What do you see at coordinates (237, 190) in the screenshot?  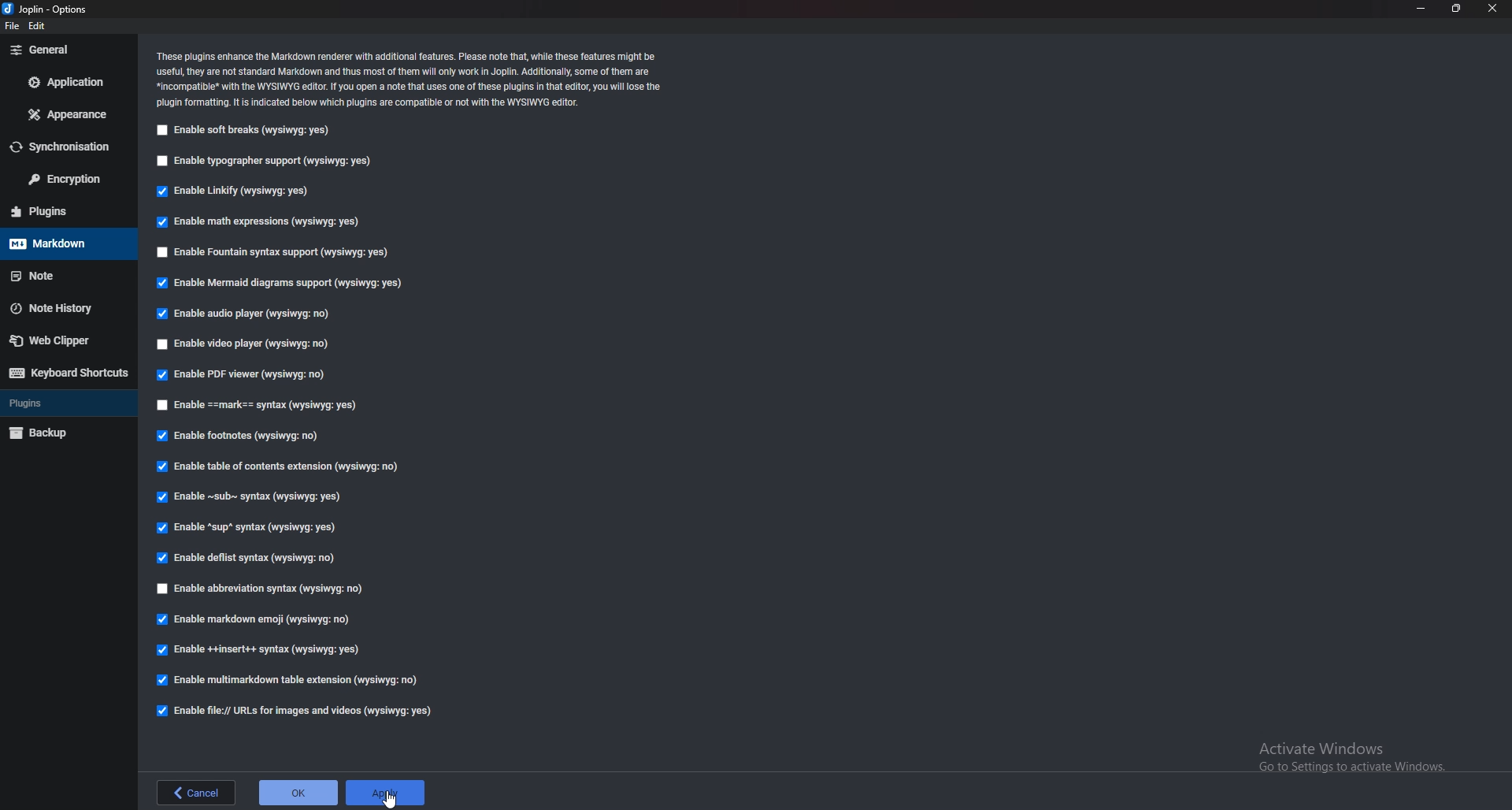 I see `Enable linkify` at bounding box center [237, 190].